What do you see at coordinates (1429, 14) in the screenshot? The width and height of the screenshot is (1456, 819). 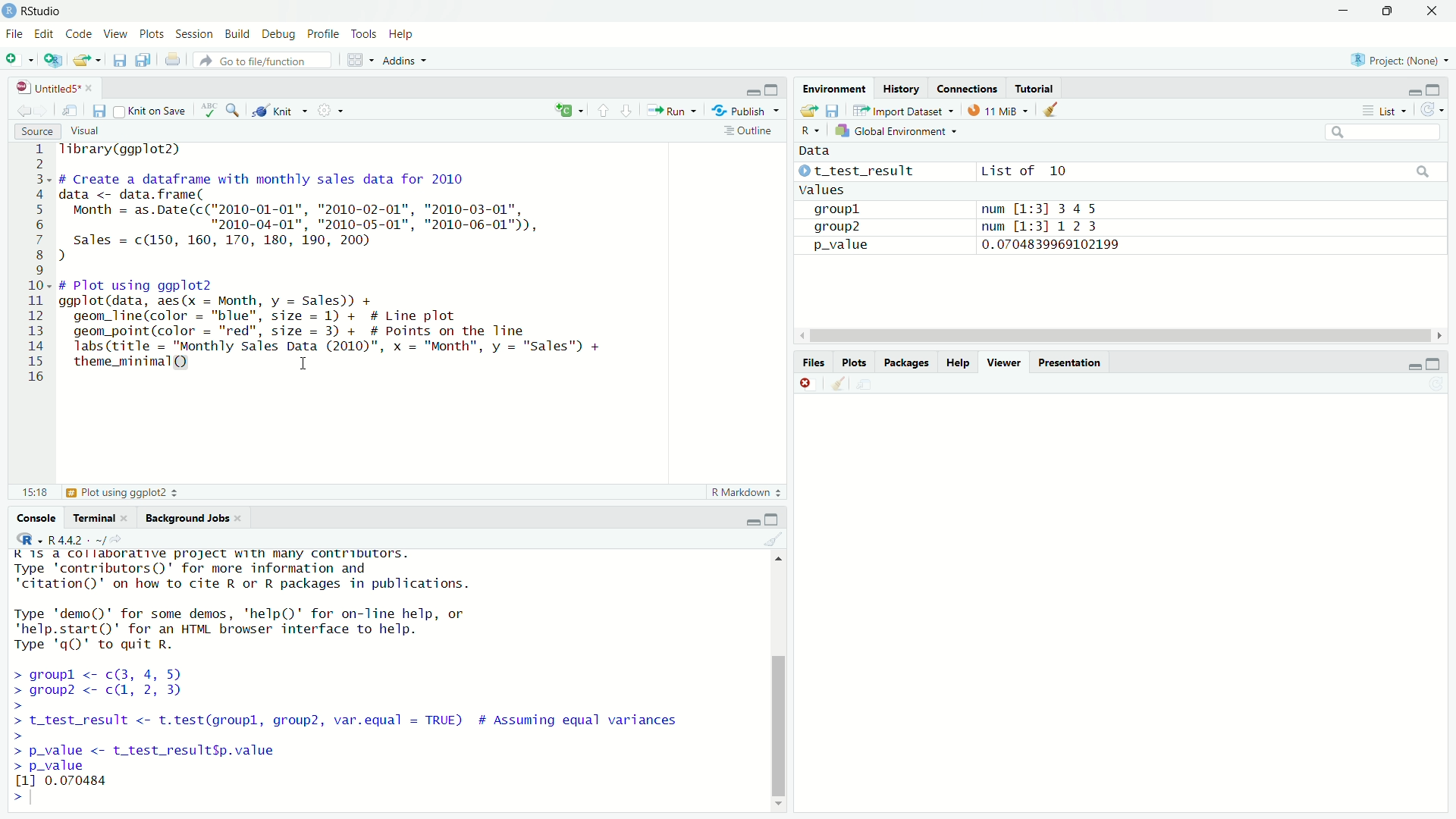 I see `close` at bounding box center [1429, 14].